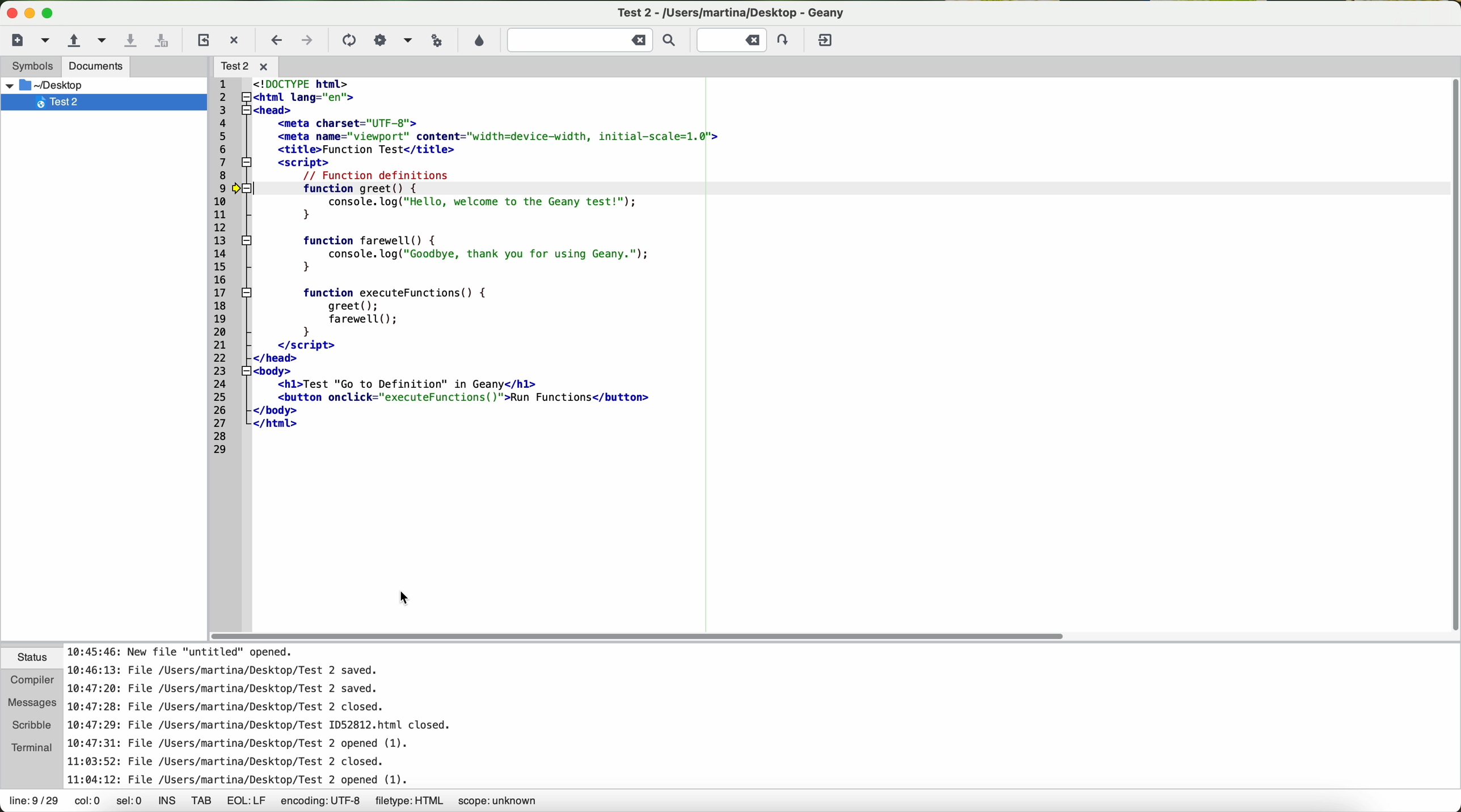 The height and width of the screenshot is (812, 1461). Describe the element at coordinates (746, 40) in the screenshot. I see `jump to the entered line numbered` at that location.